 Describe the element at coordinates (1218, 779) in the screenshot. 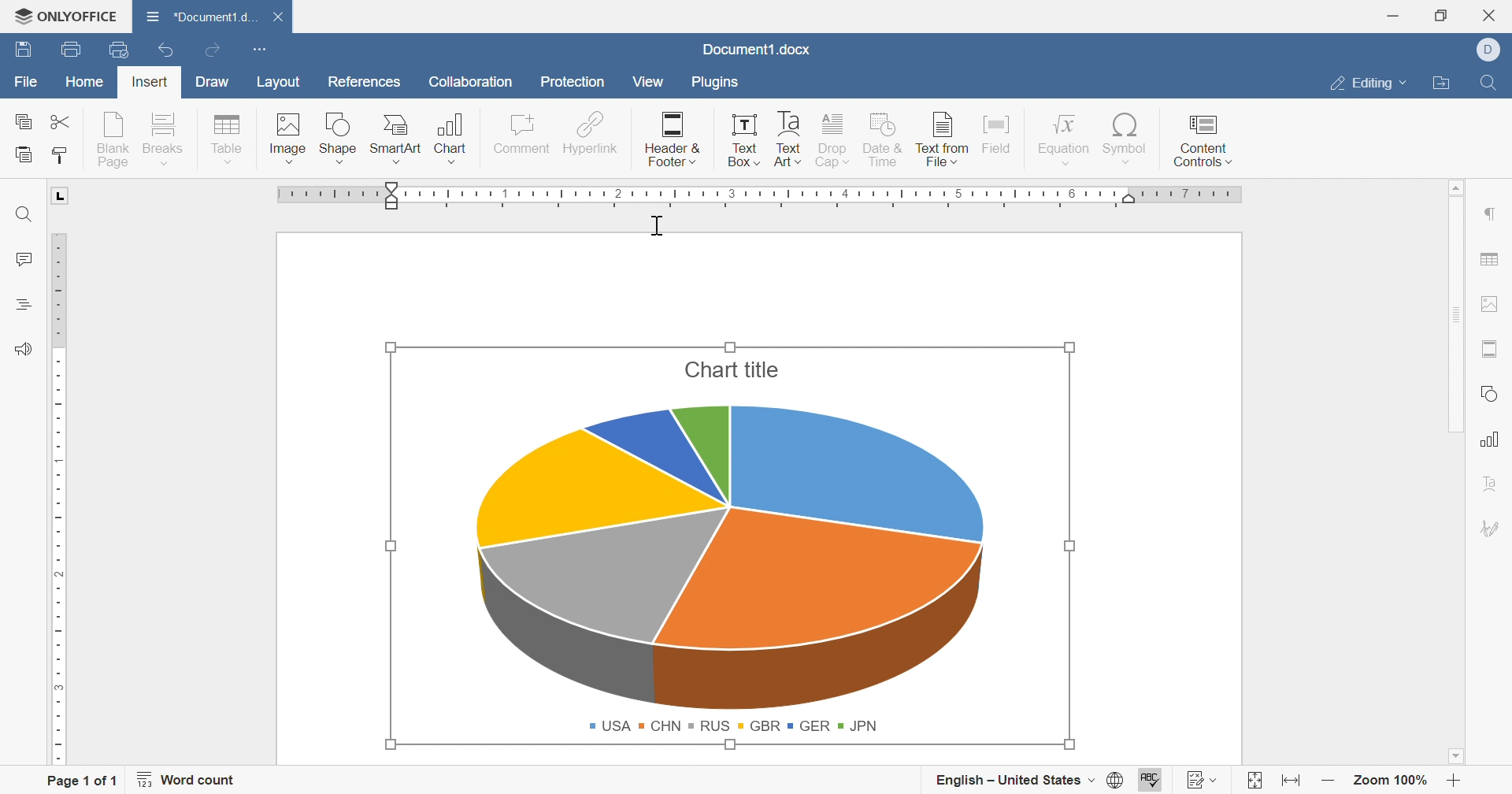

I see `Drop Down` at that location.